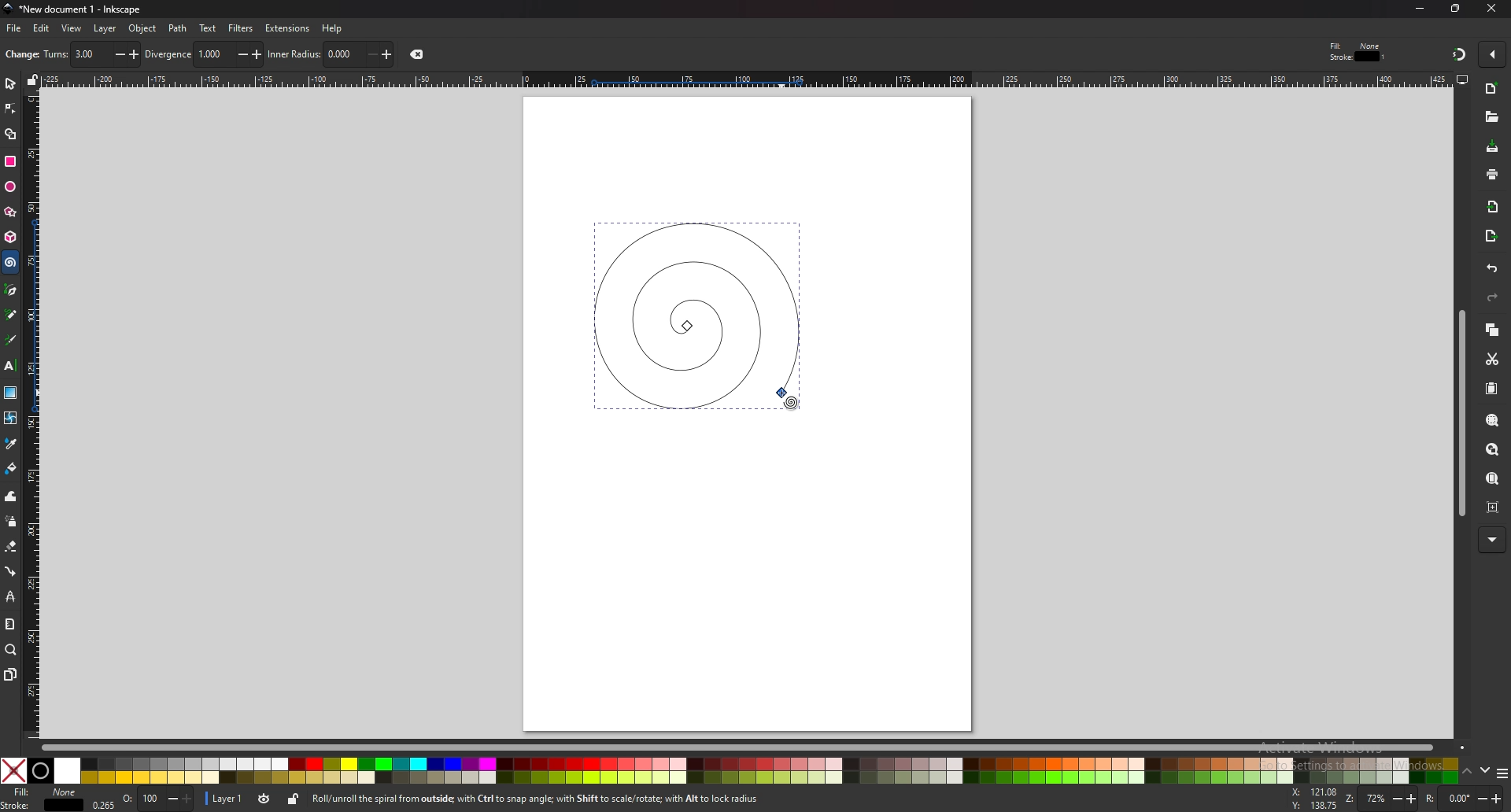 The width and height of the screenshot is (1511, 812). I want to click on pen, so click(10, 290).